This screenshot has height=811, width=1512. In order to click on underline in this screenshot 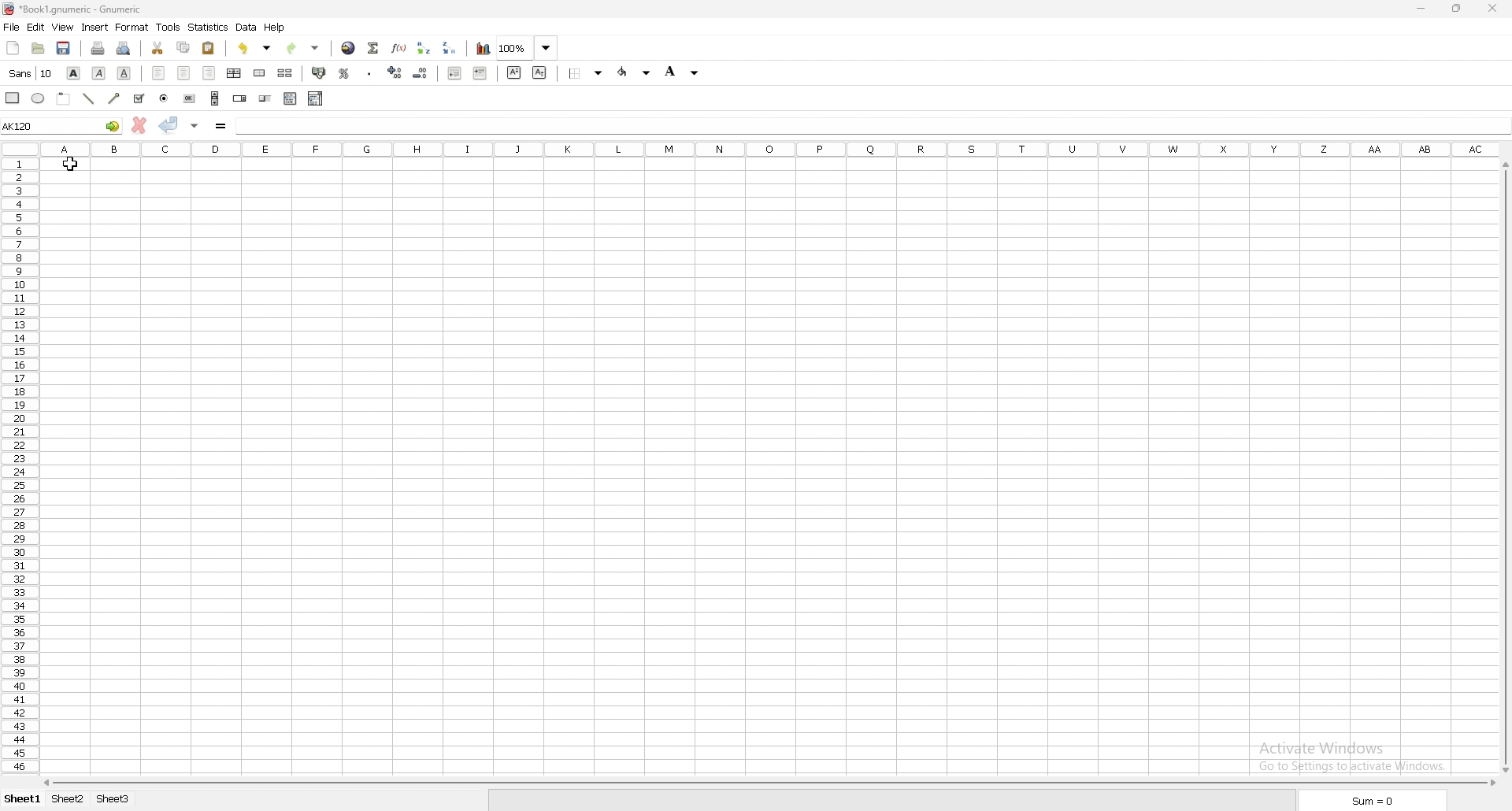, I will do `click(124, 72)`.